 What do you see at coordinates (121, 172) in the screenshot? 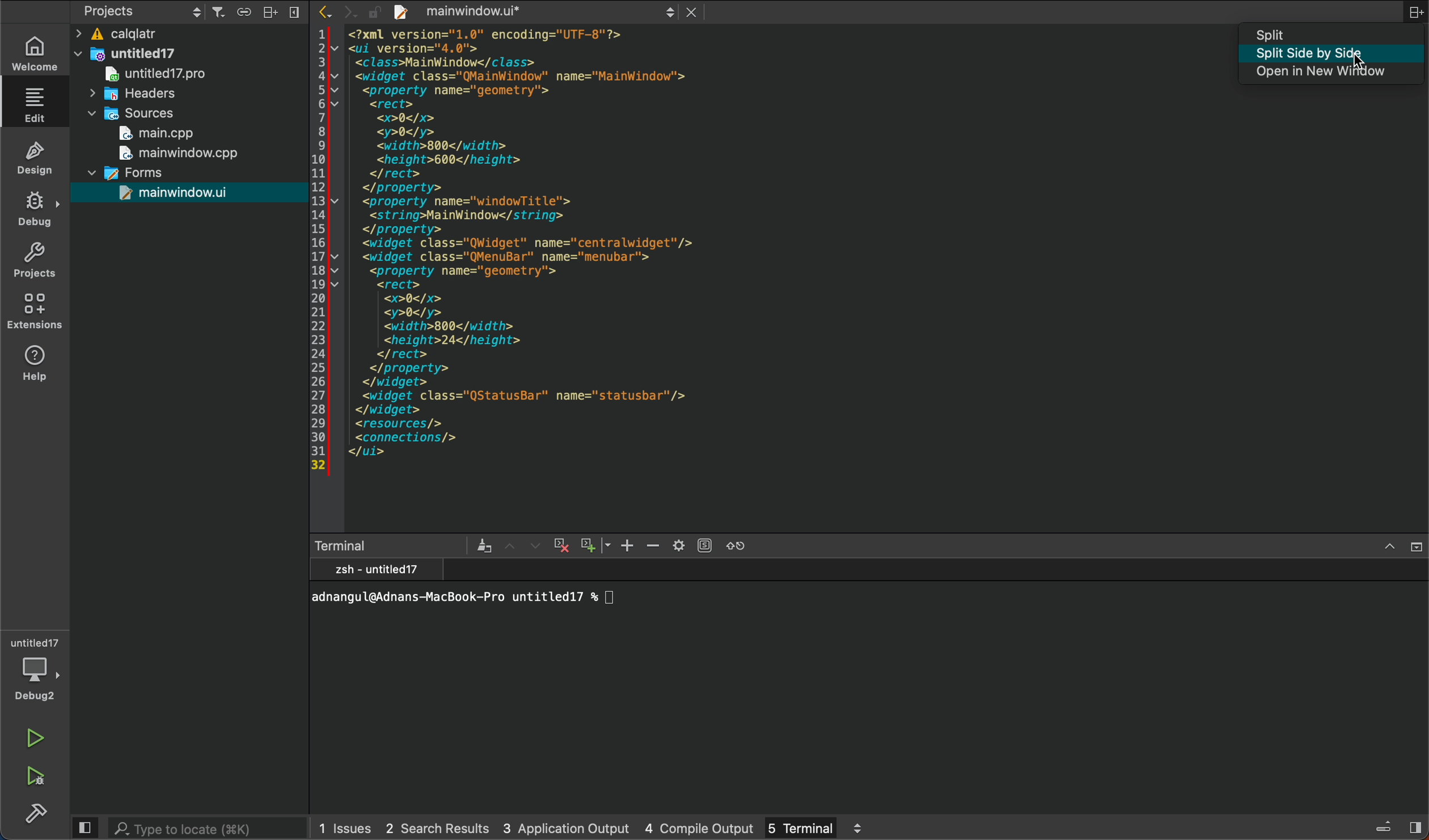
I see `forms` at bounding box center [121, 172].